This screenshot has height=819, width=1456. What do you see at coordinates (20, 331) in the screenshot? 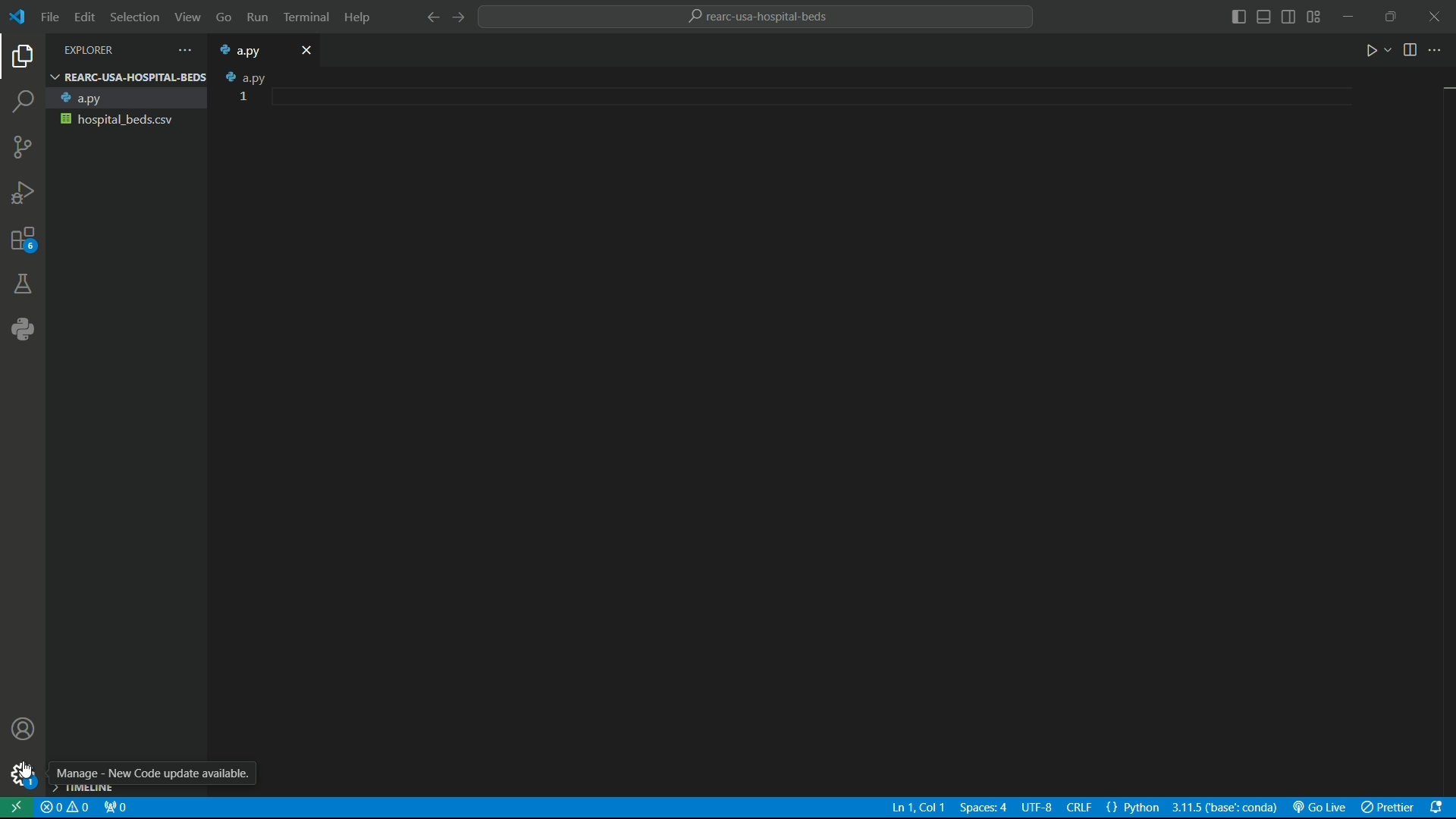
I see `python` at bounding box center [20, 331].